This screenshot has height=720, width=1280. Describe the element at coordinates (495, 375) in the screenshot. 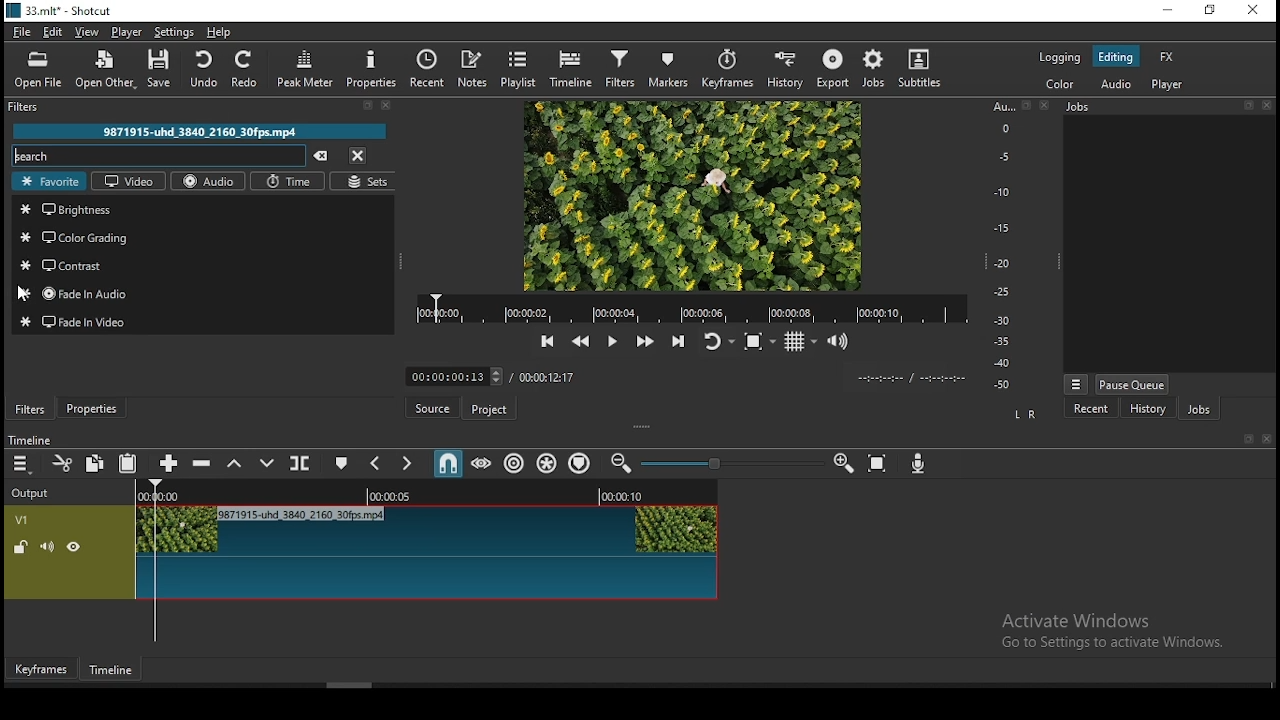

I see `increase decrease` at that location.